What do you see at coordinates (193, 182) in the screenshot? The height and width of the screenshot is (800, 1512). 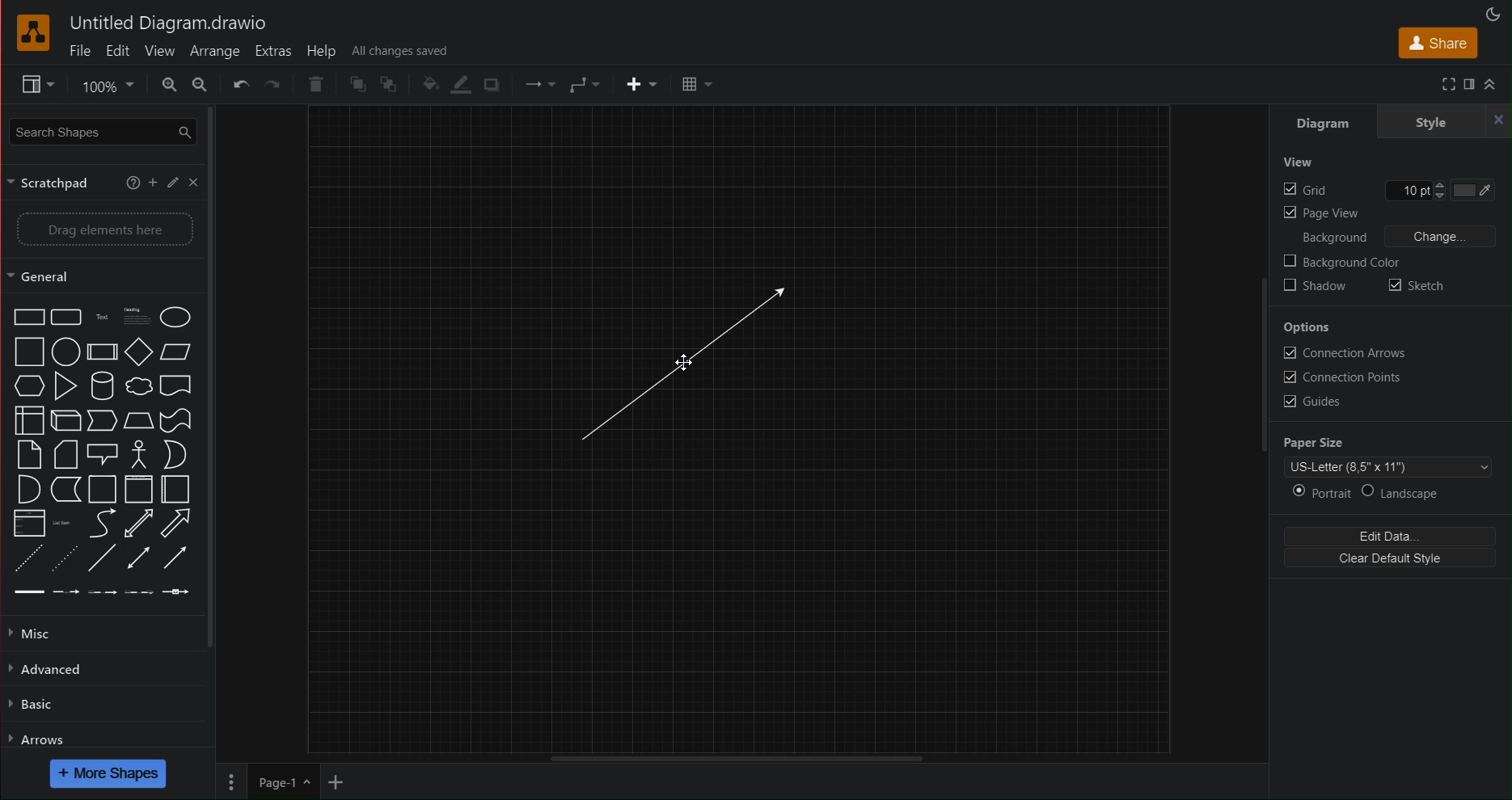 I see `Close` at bounding box center [193, 182].